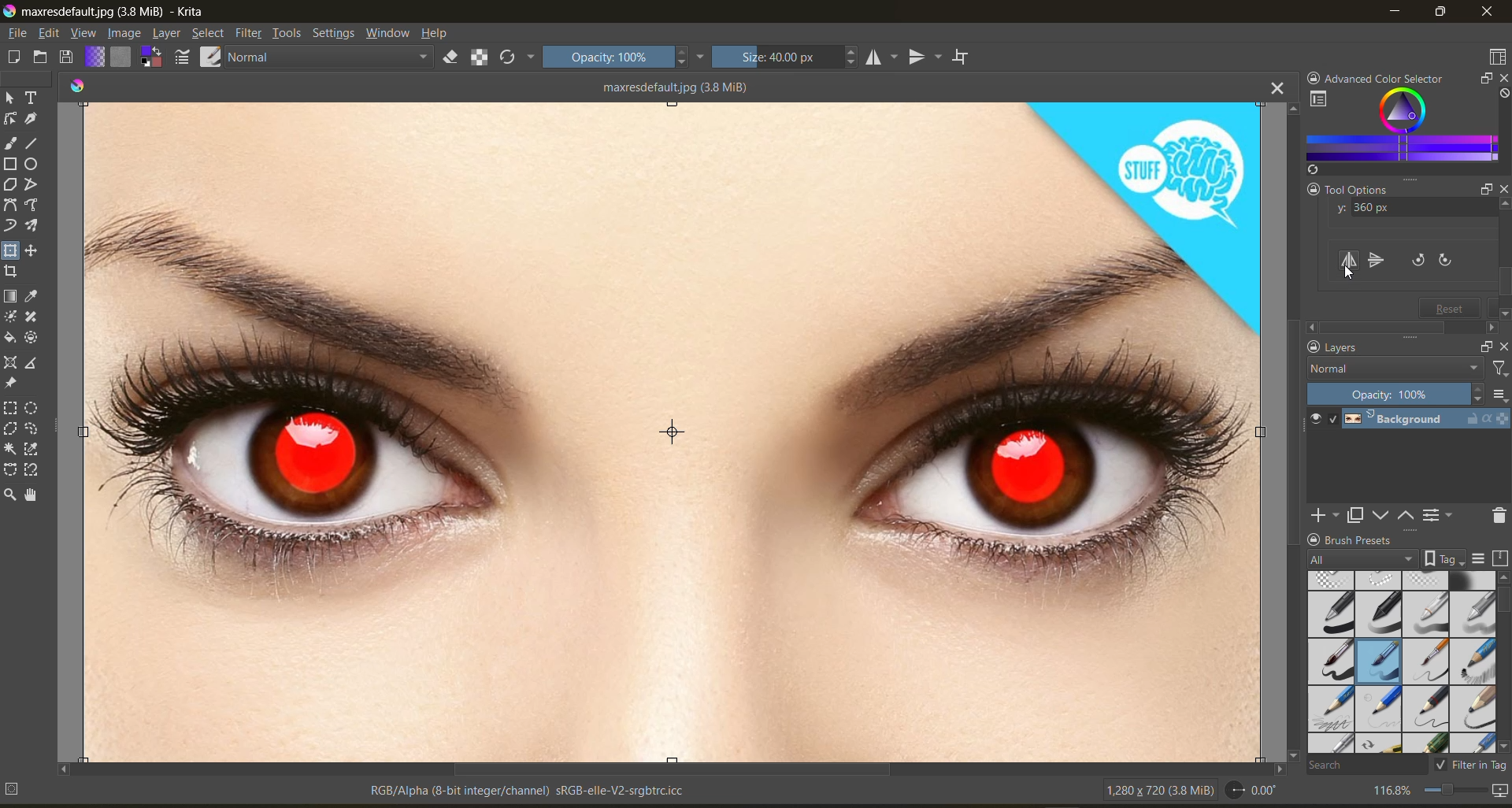  I want to click on delete the layer, so click(1496, 516).